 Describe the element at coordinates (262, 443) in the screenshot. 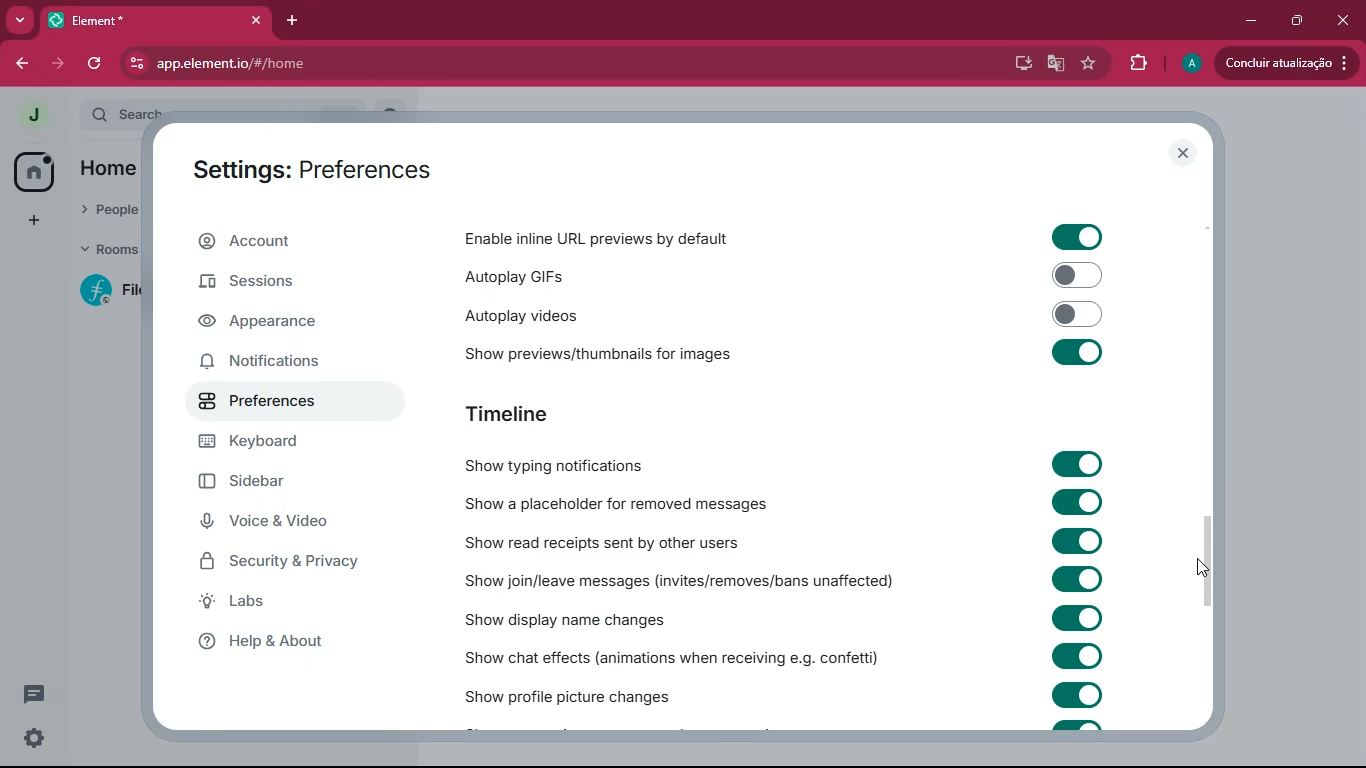

I see `keyboard` at that location.